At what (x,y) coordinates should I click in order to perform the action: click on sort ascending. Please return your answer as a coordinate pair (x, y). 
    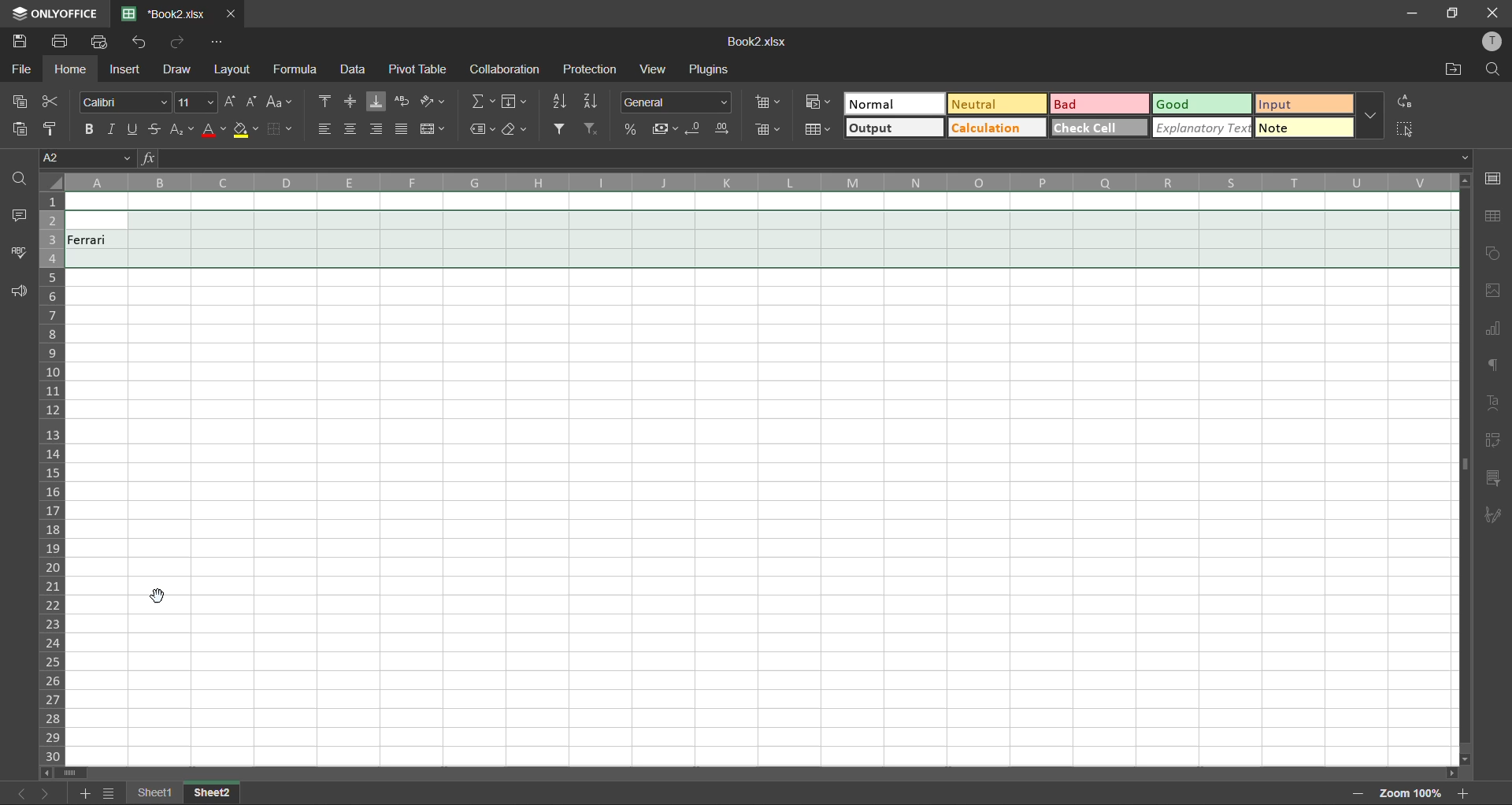
    Looking at the image, I should click on (562, 102).